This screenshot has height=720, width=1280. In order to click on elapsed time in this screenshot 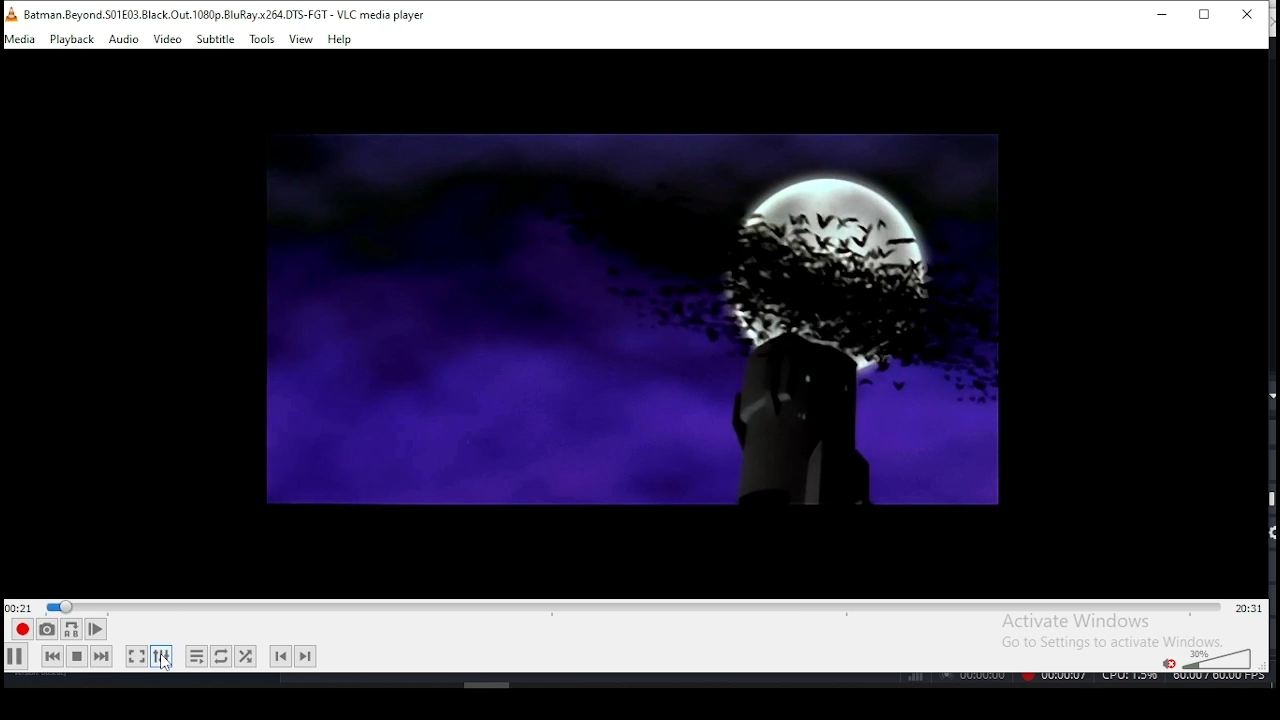, I will do `click(20, 607)`.